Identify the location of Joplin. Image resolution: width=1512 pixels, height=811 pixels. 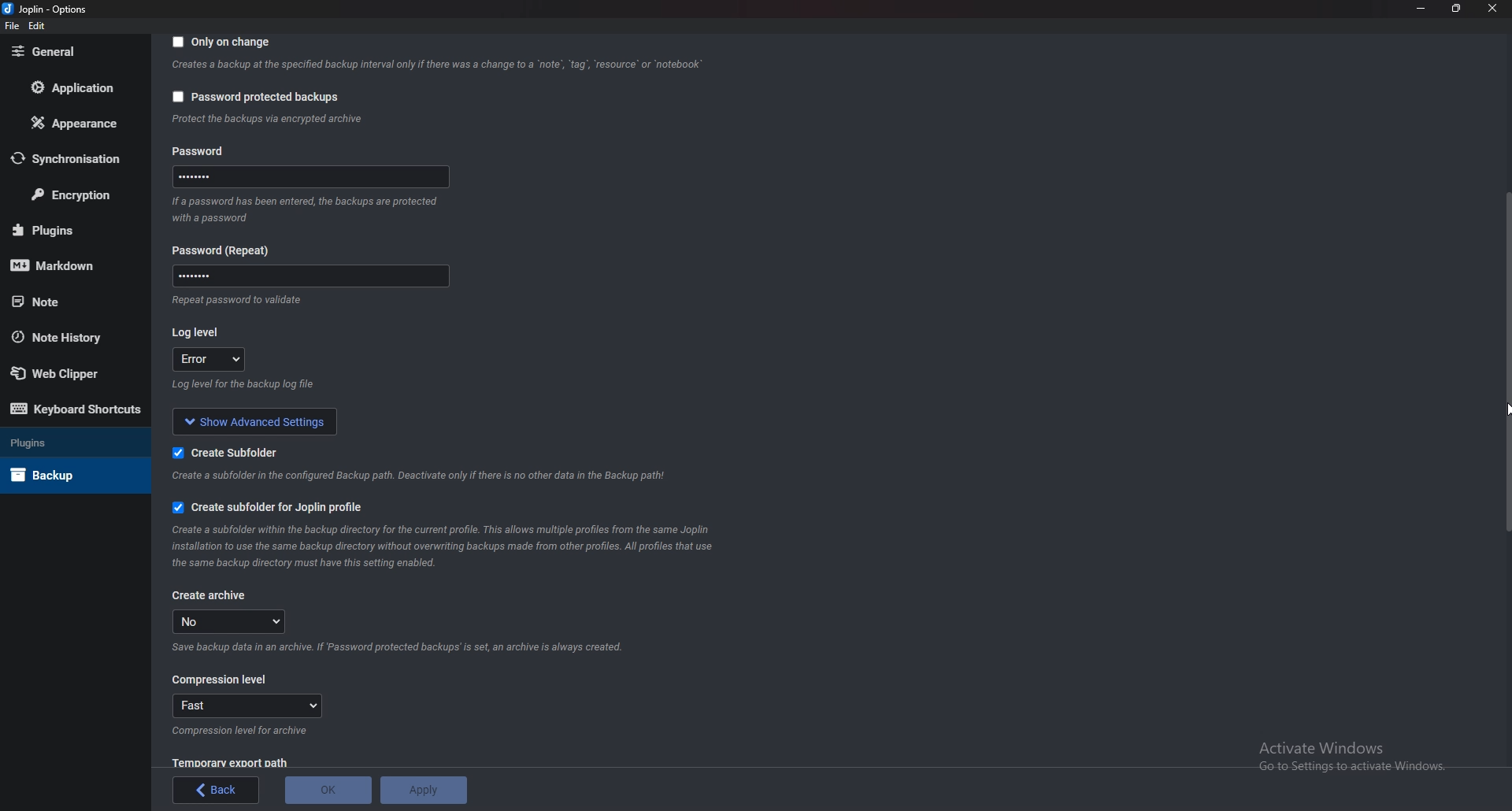
(43, 9).